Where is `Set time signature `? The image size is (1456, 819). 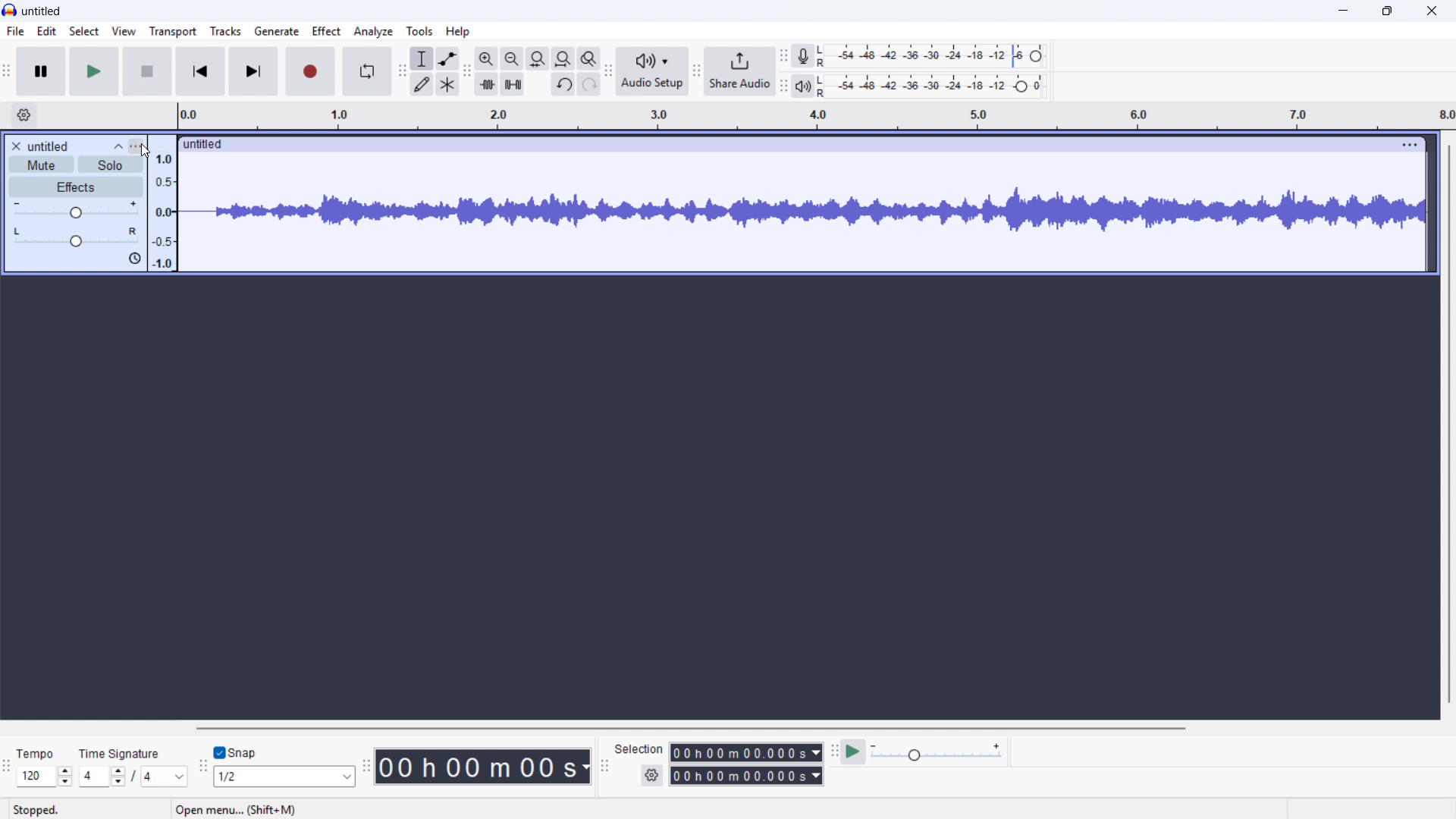 Set time signature  is located at coordinates (134, 777).